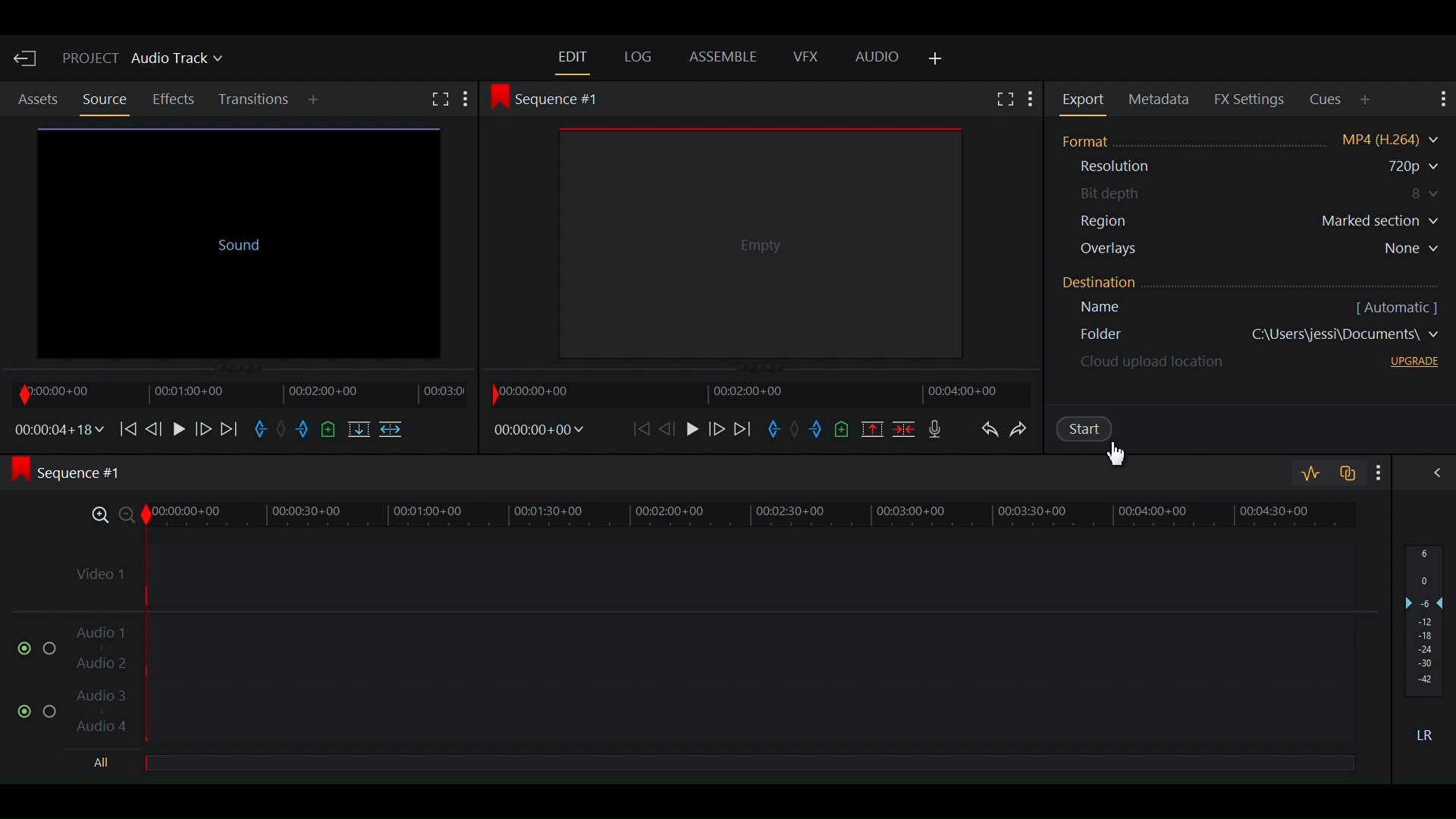 This screenshot has height=819, width=1456. Describe the element at coordinates (38, 708) in the screenshot. I see `Enable/Disable` at that location.